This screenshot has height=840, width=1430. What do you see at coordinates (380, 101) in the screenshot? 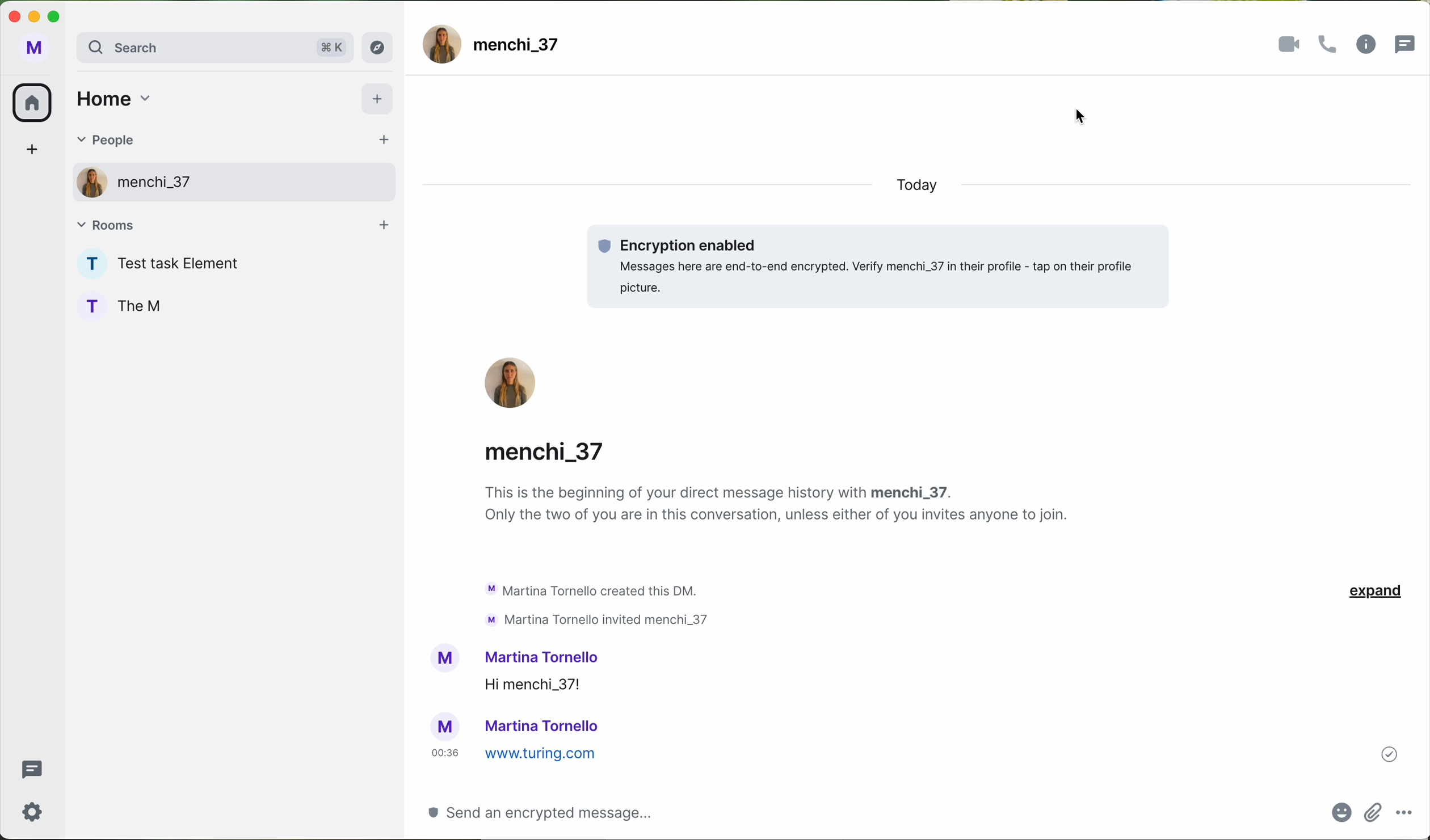
I see `add` at bounding box center [380, 101].